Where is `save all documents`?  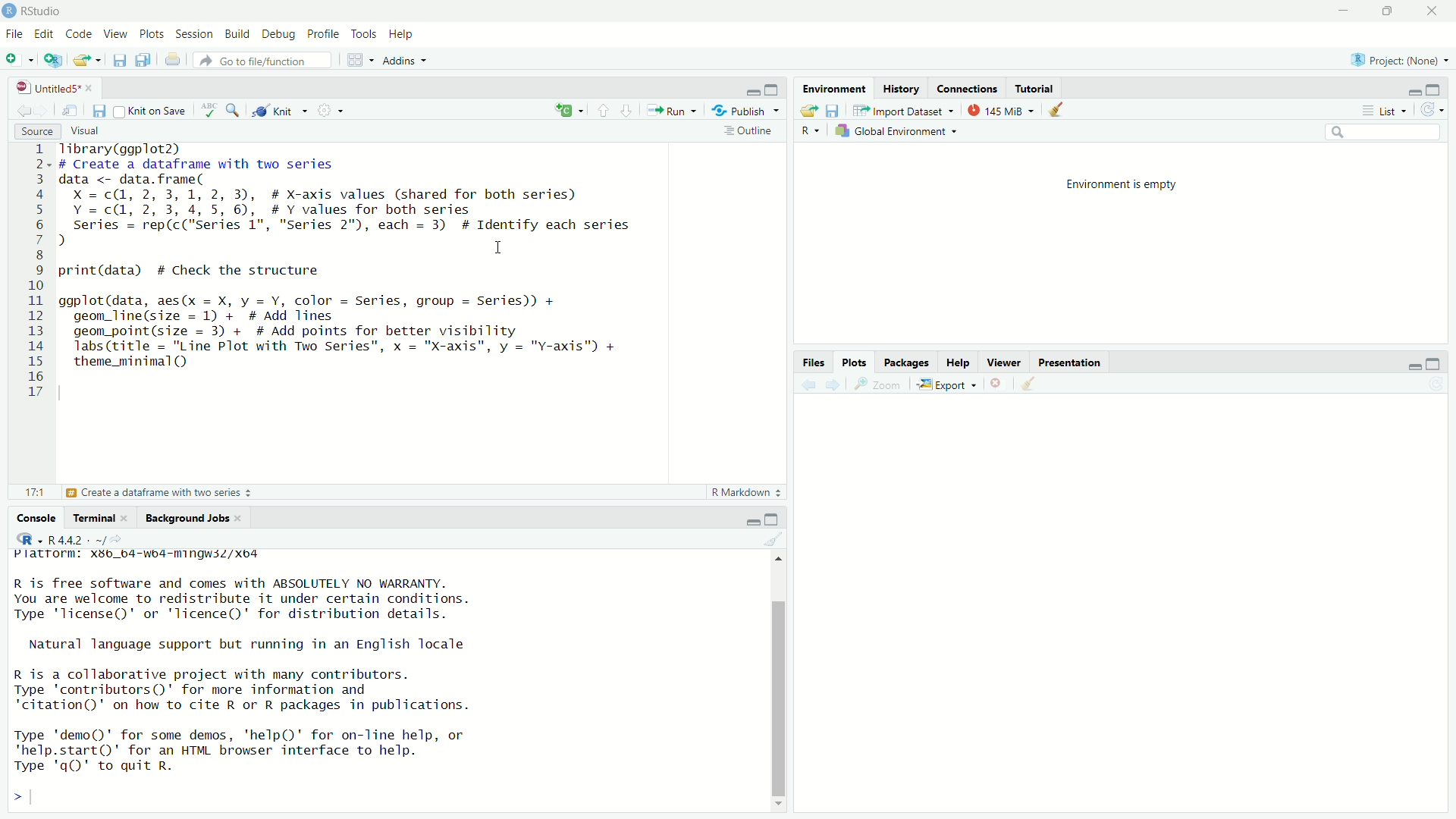 save all documents is located at coordinates (142, 60).